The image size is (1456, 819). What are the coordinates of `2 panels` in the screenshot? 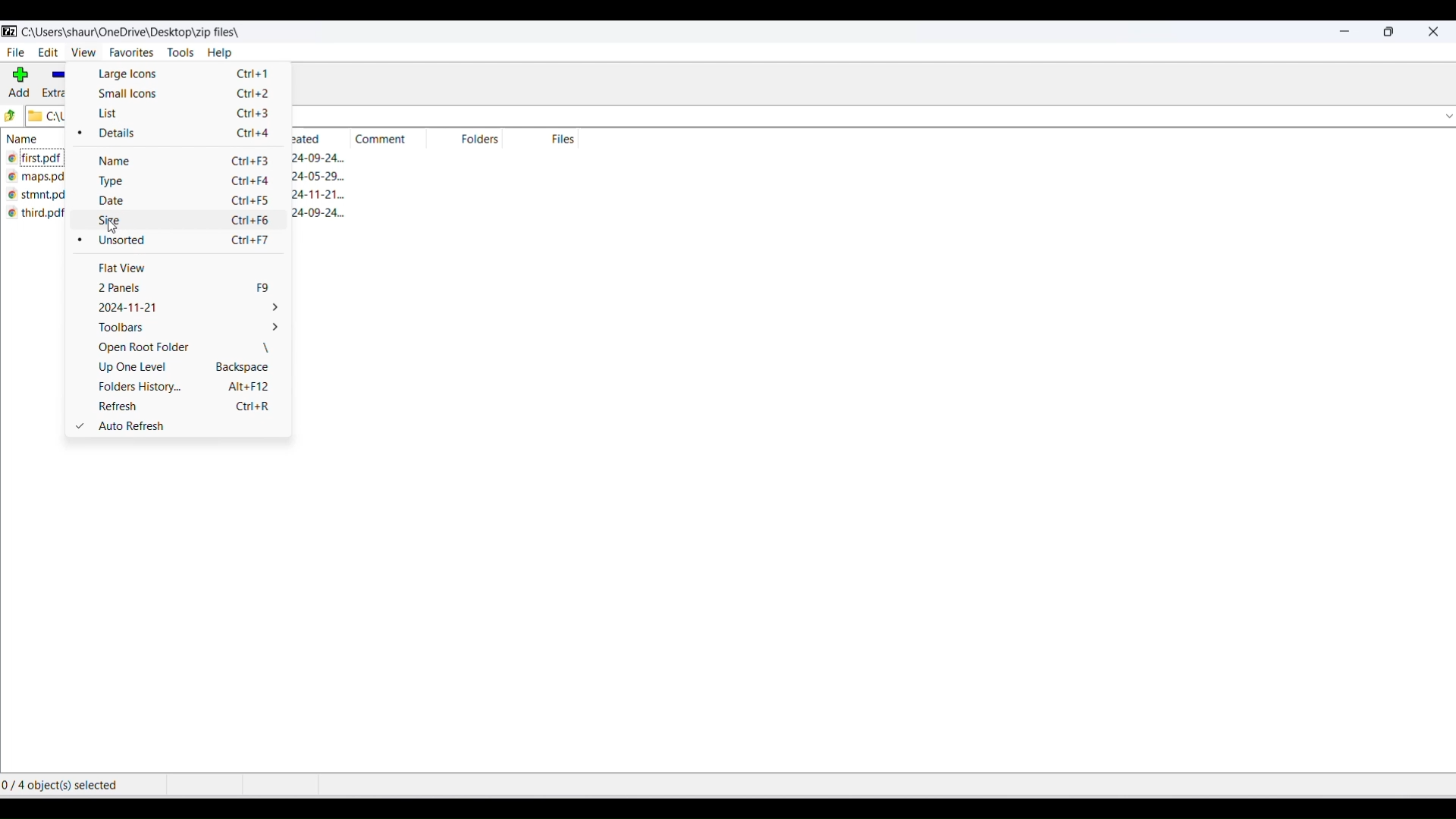 It's located at (181, 290).